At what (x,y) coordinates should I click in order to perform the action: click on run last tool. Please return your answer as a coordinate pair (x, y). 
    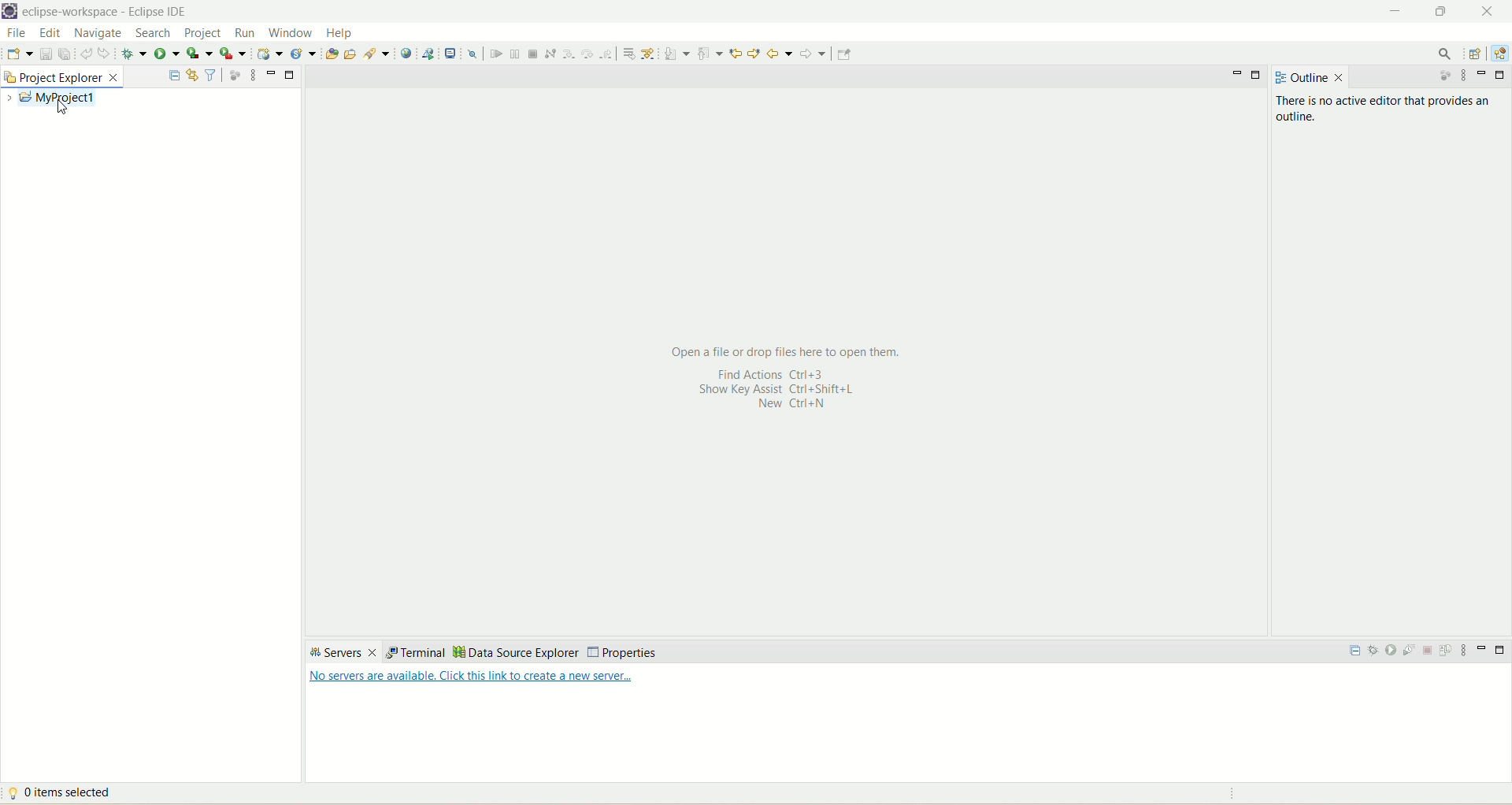
    Looking at the image, I should click on (235, 54).